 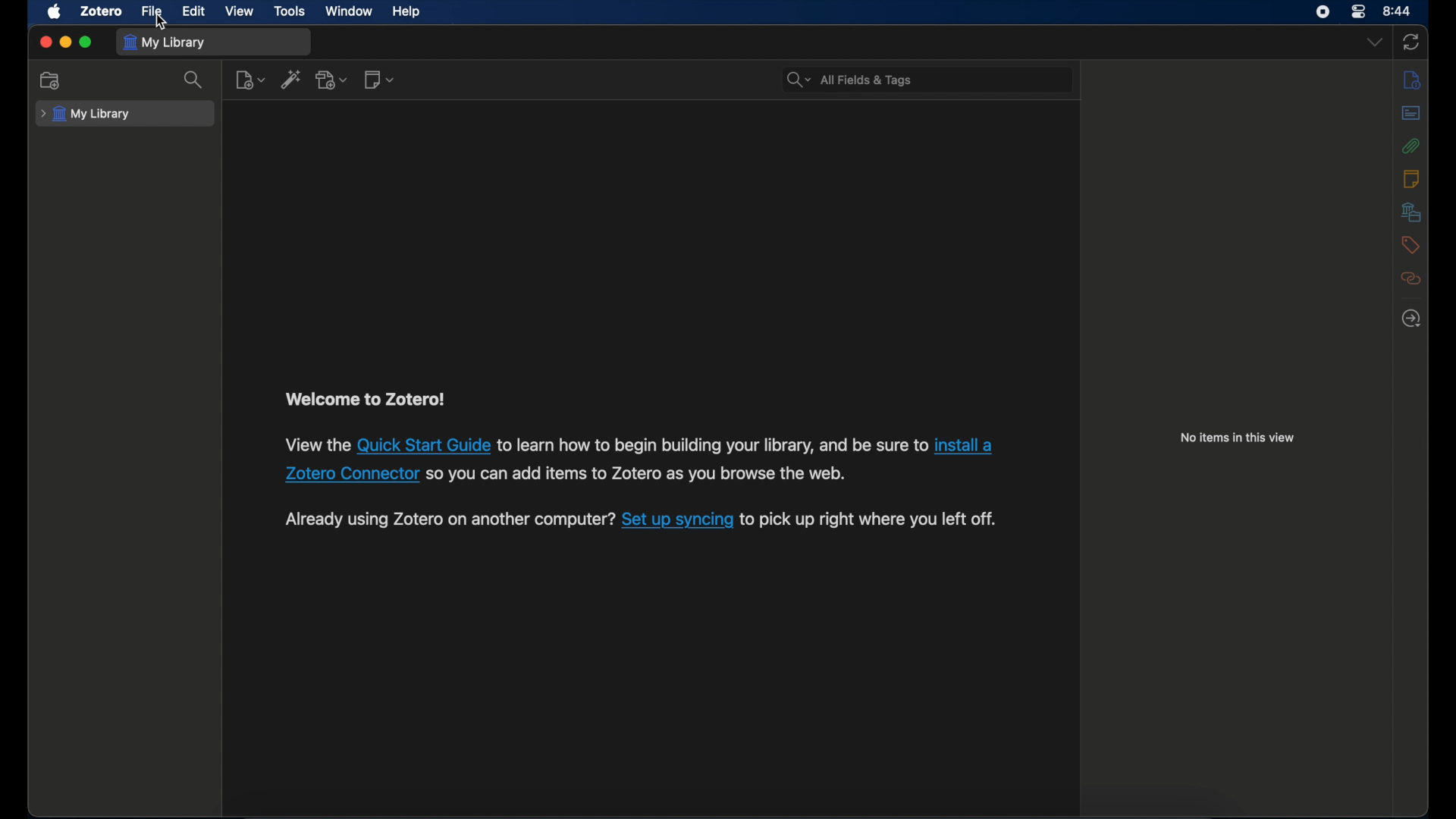 I want to click on add attachment, so click(x=333, y=80).